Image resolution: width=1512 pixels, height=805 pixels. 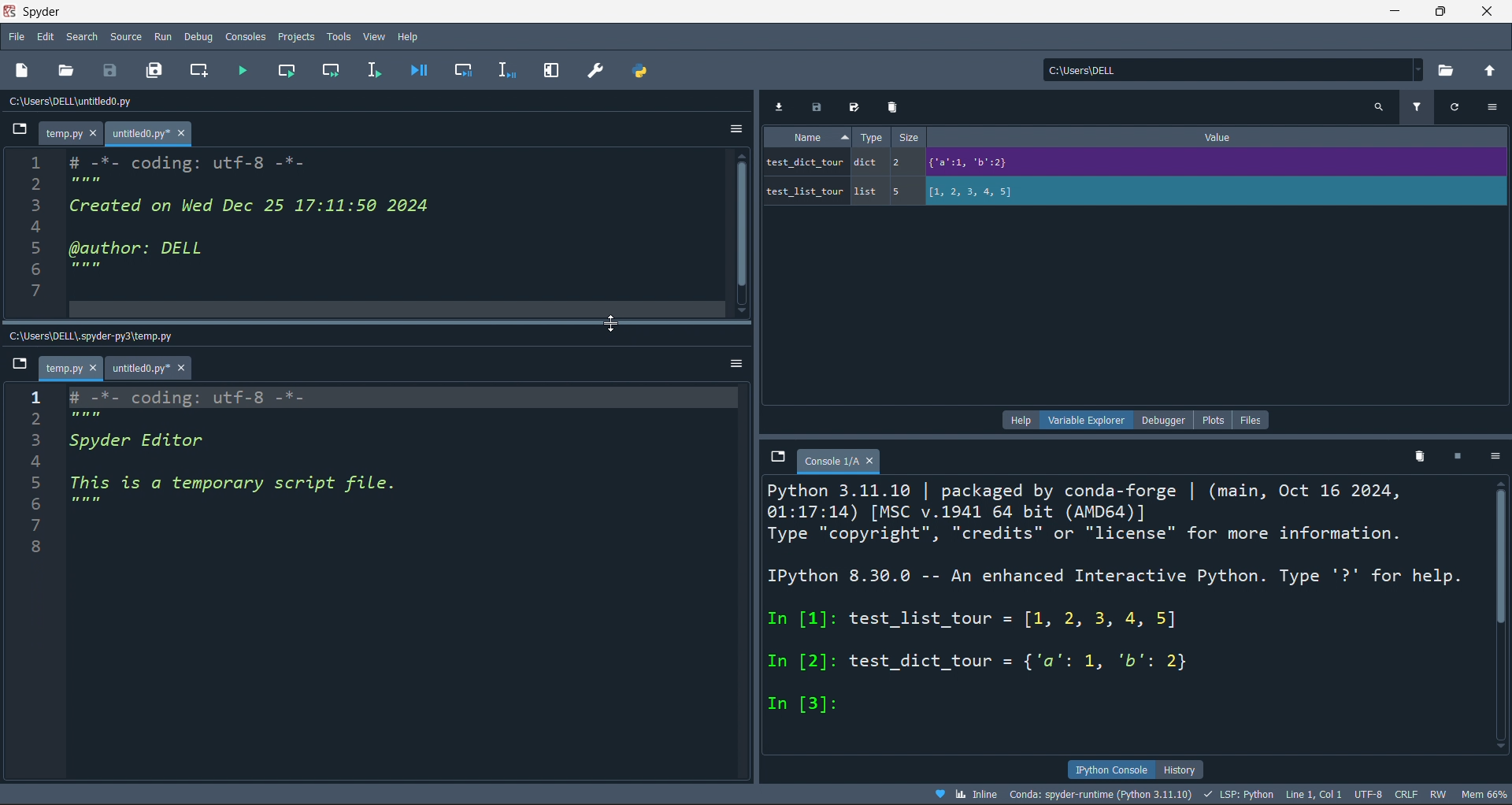 I want to click on search, so click(x=81, y=36).